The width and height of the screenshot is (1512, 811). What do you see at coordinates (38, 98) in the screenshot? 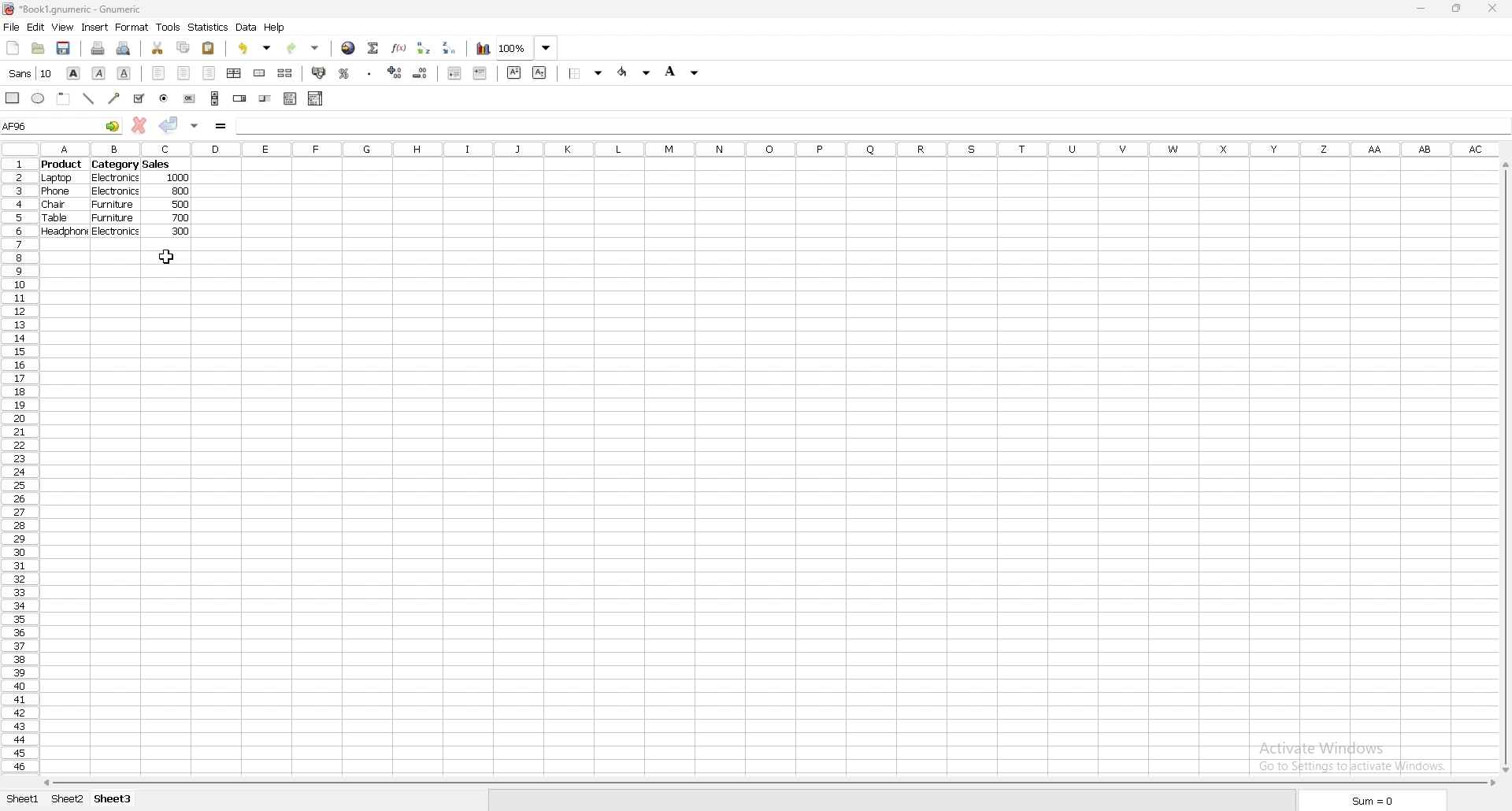
I see `ellipse` at bounding box center [38, 98].